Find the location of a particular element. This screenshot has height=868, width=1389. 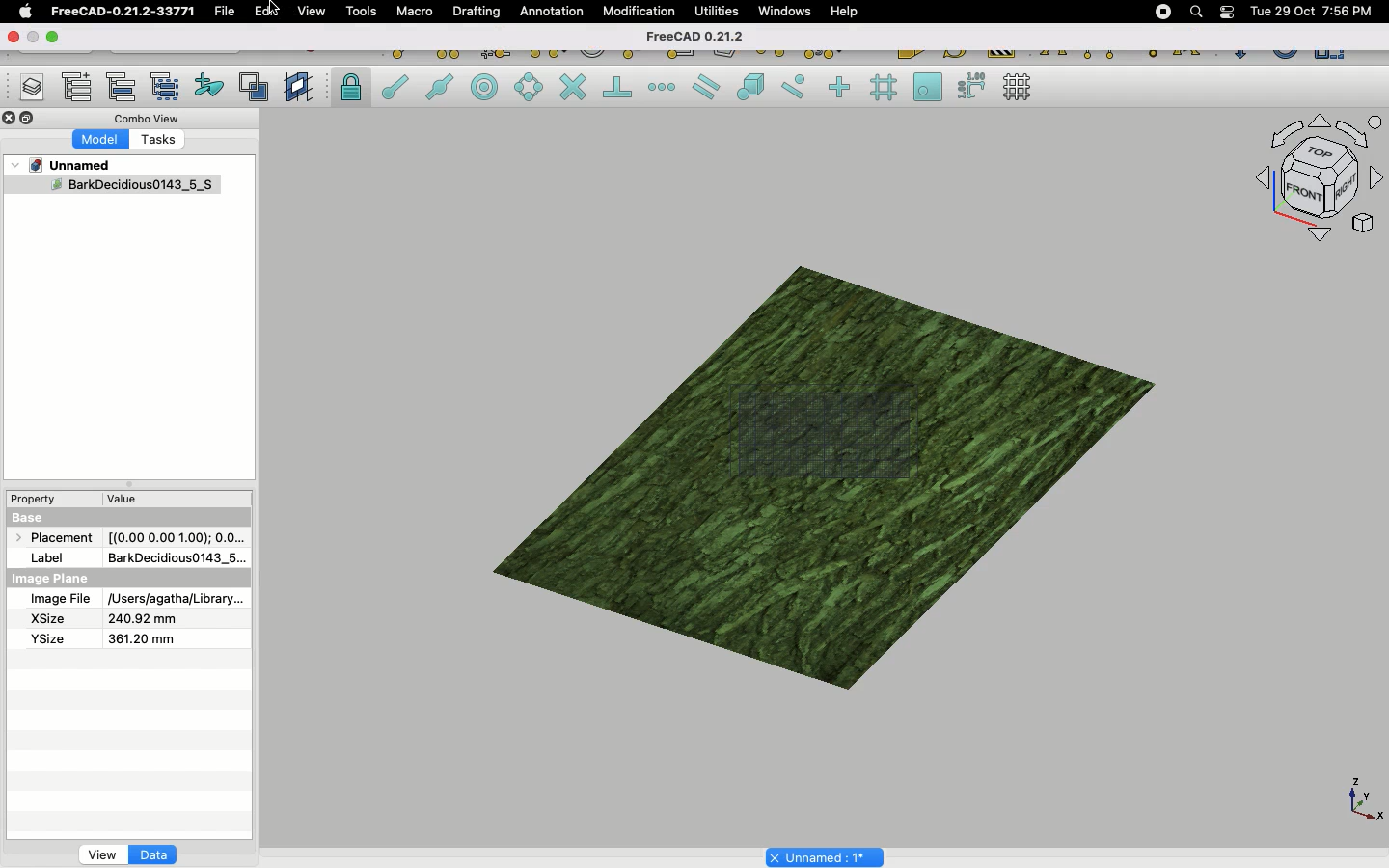

Tools is located at coordinates (361, 12).